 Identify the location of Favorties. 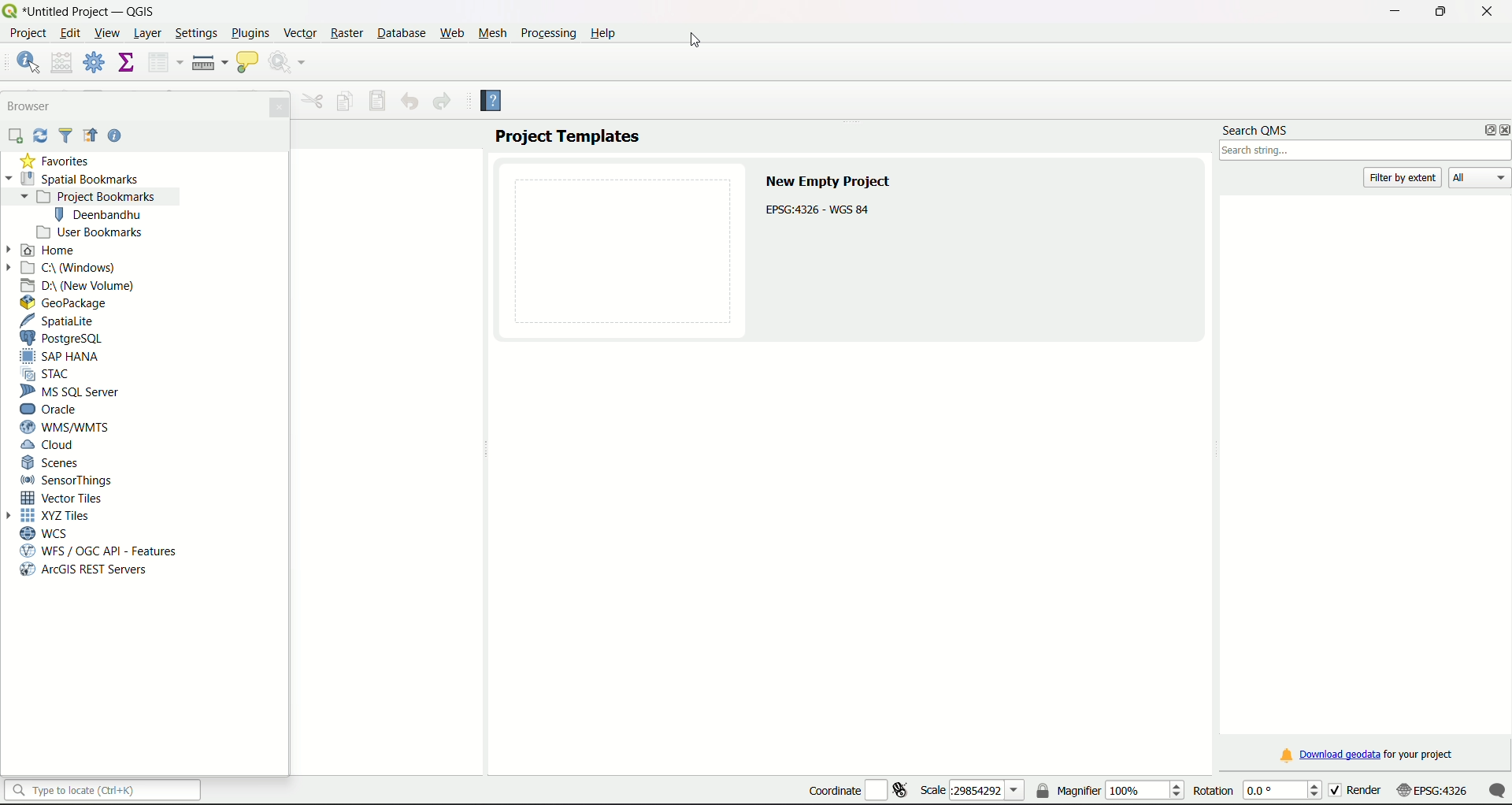
(55, 161).